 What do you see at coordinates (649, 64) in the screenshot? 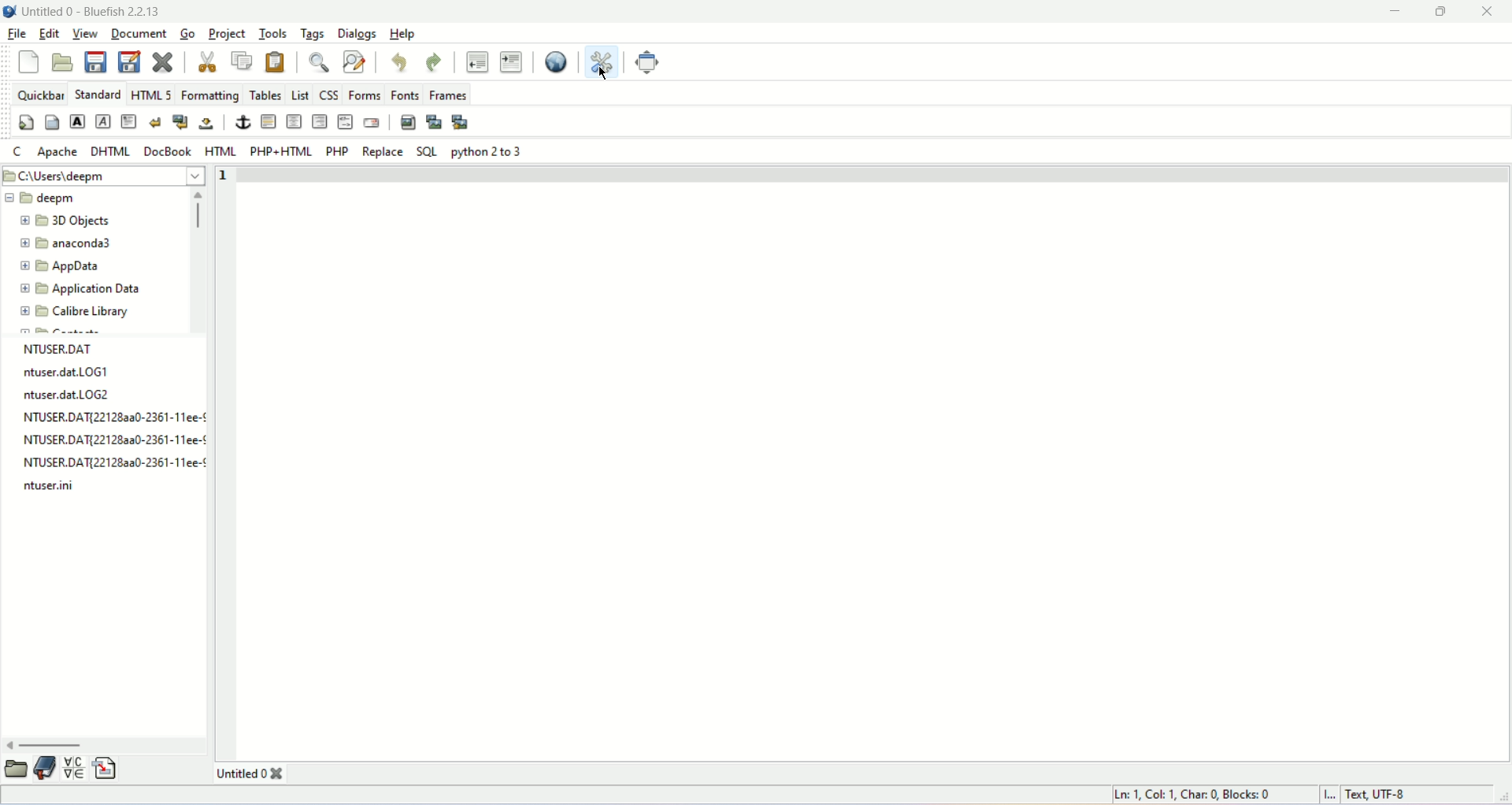
I see `fullscreen` at bounding box center [649, 64].